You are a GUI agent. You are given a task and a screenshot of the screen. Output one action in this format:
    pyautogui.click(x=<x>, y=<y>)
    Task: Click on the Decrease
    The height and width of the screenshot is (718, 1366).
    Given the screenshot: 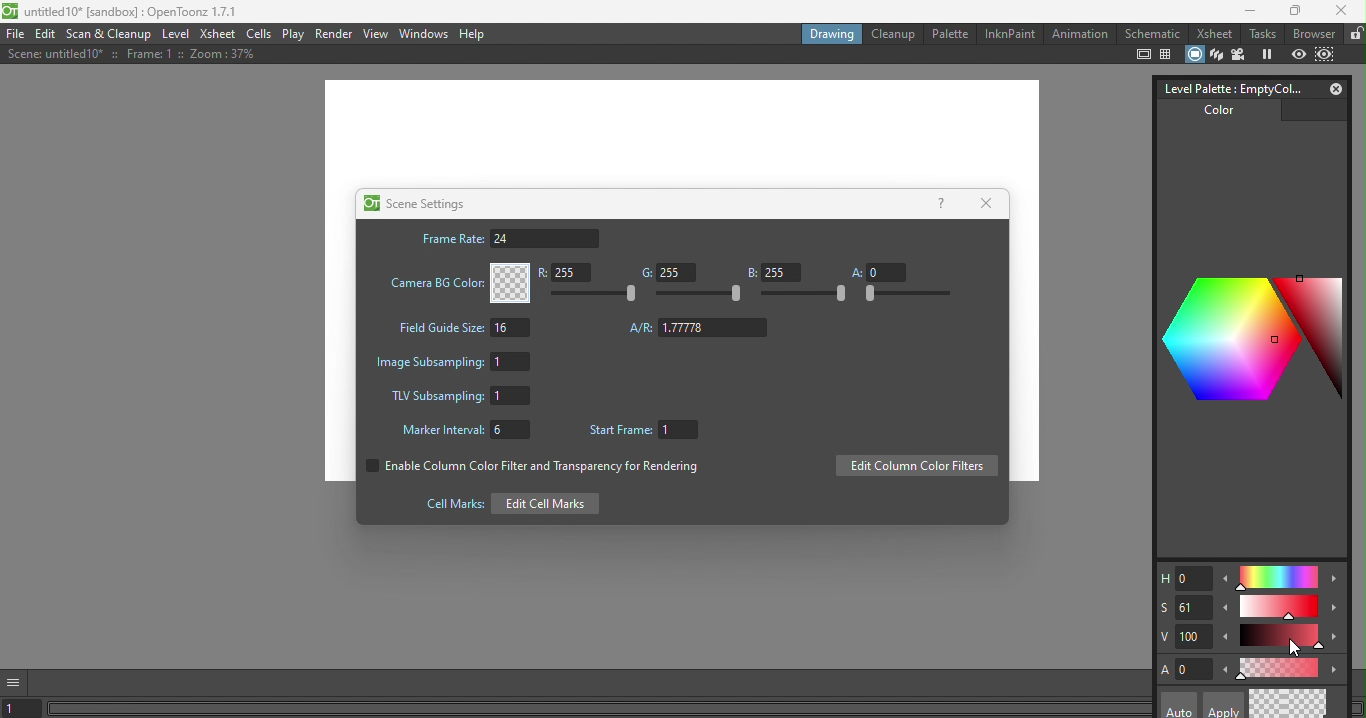 What is the action you would take?
    pyautogui.click(x=1225, y=611)
    